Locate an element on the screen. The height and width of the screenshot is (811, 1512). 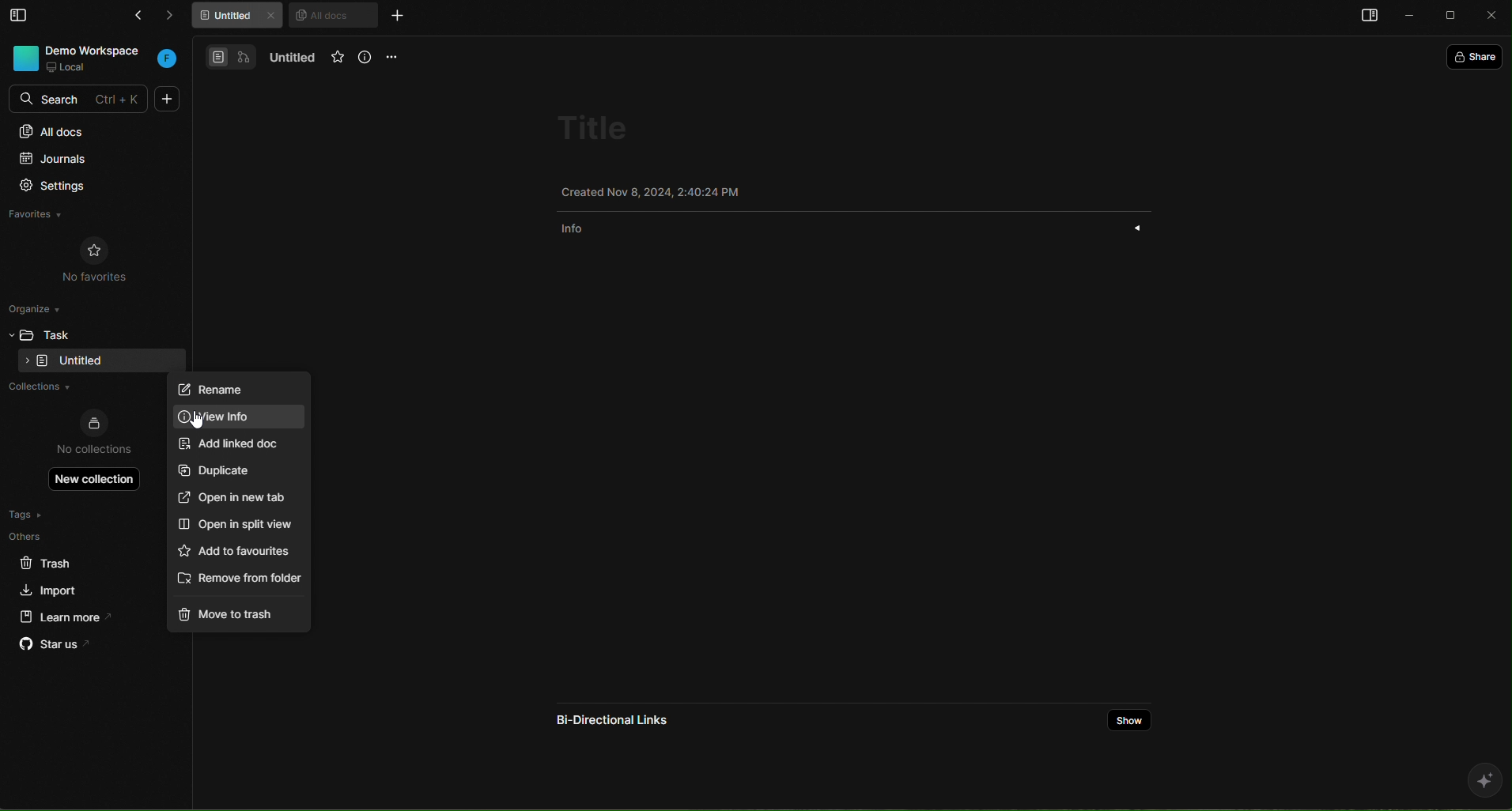
remove from folder is located at coordinates (237, 579).